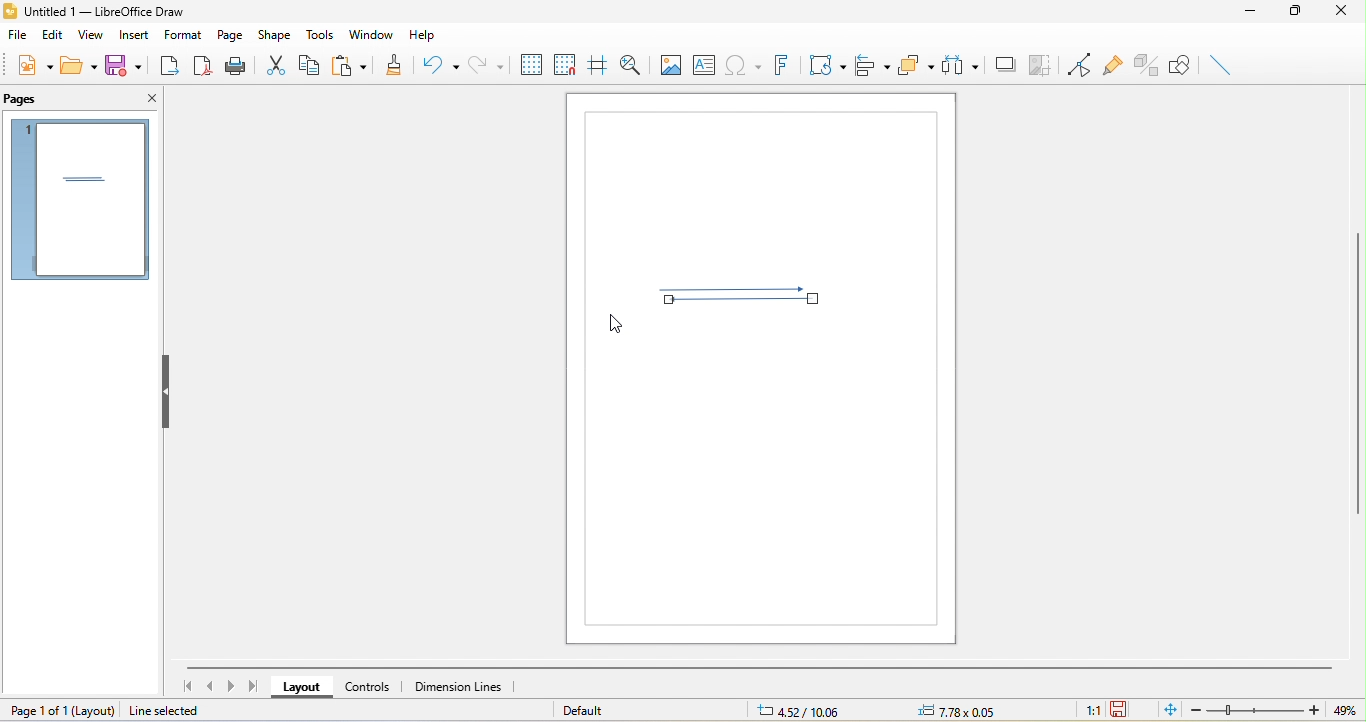 Image resolution: width=1366 pixels, height=722 pixels. I want to click on clone formatting, so click(397, 63).